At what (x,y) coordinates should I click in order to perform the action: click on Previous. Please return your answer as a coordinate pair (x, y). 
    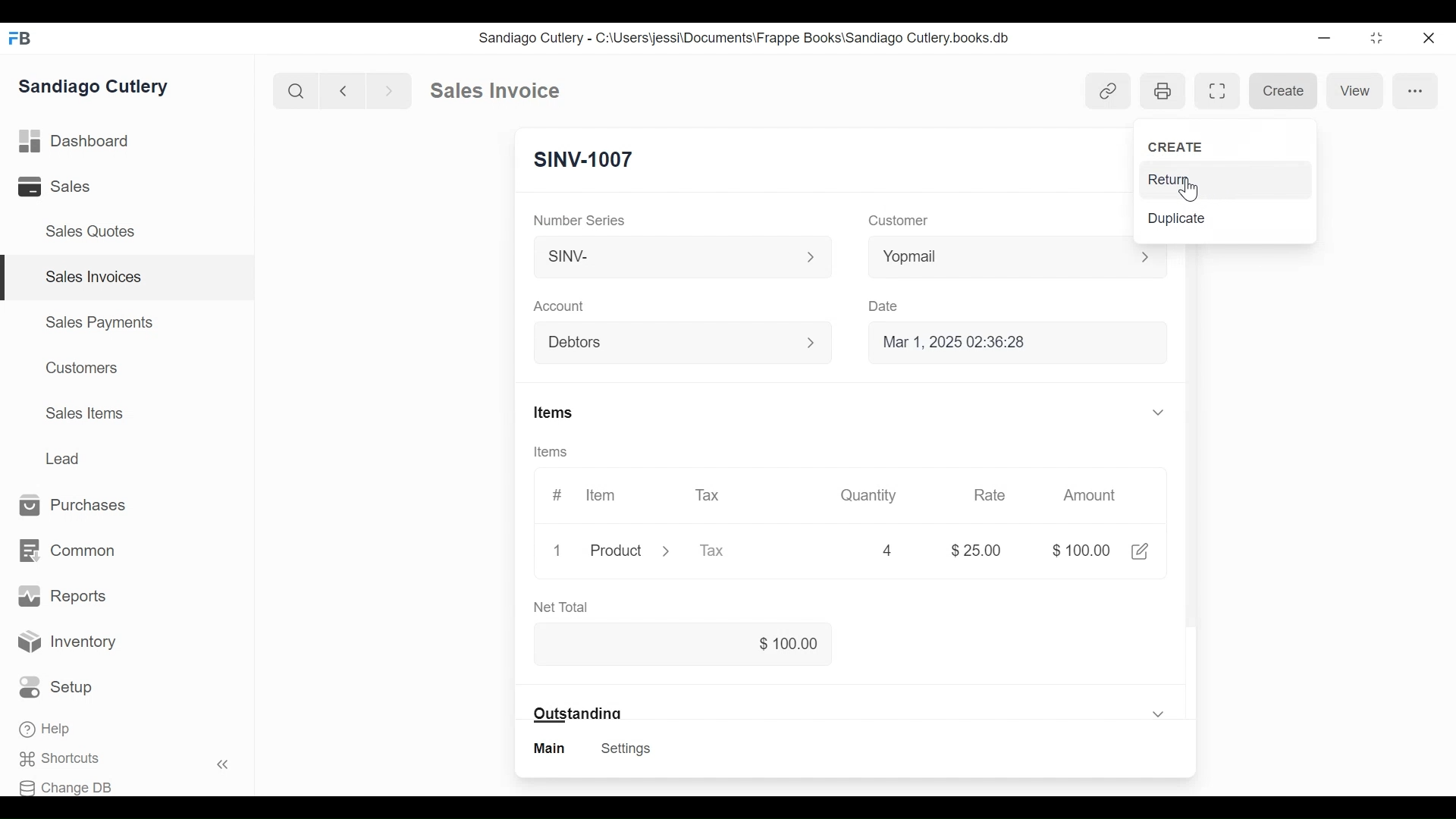
    Looking at the image, I should click on (344, 90).